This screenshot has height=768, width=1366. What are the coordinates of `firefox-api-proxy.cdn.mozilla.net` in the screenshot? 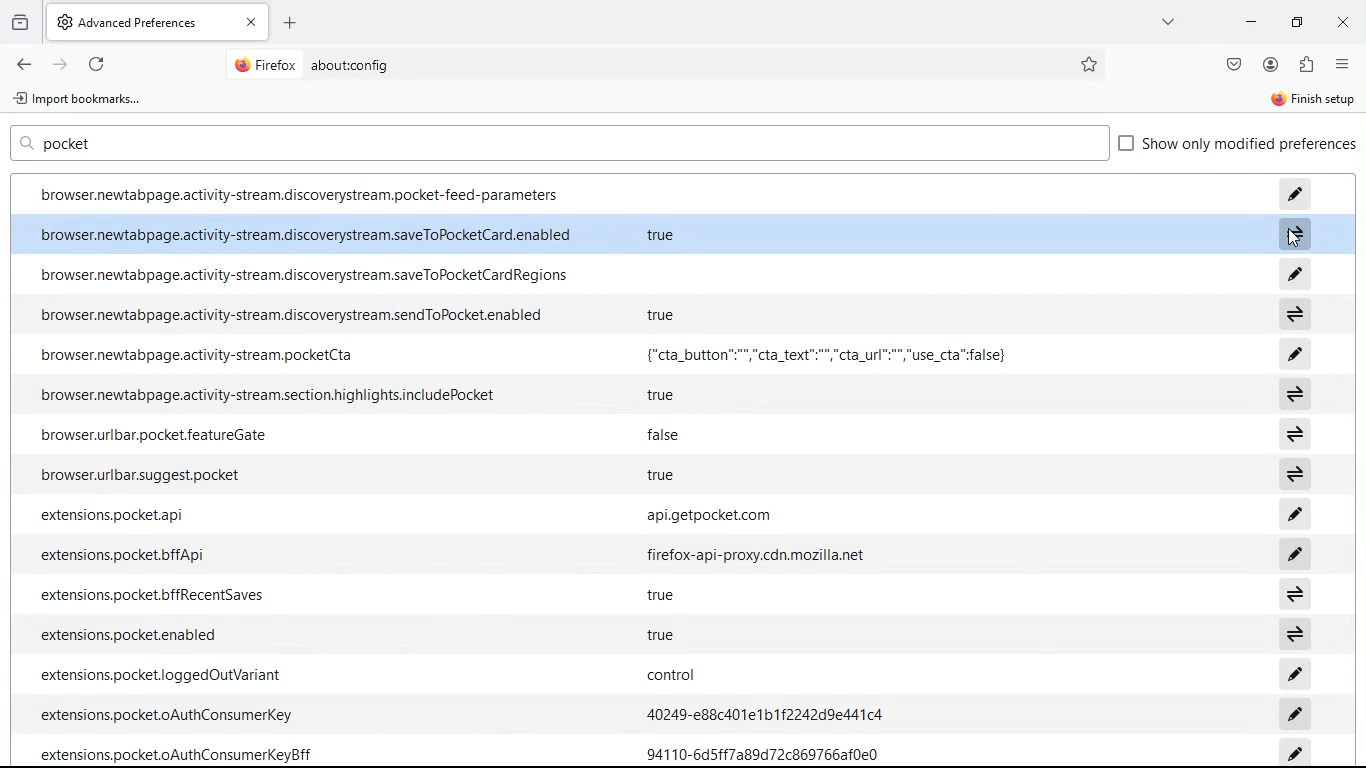 It's located at (761, 556).